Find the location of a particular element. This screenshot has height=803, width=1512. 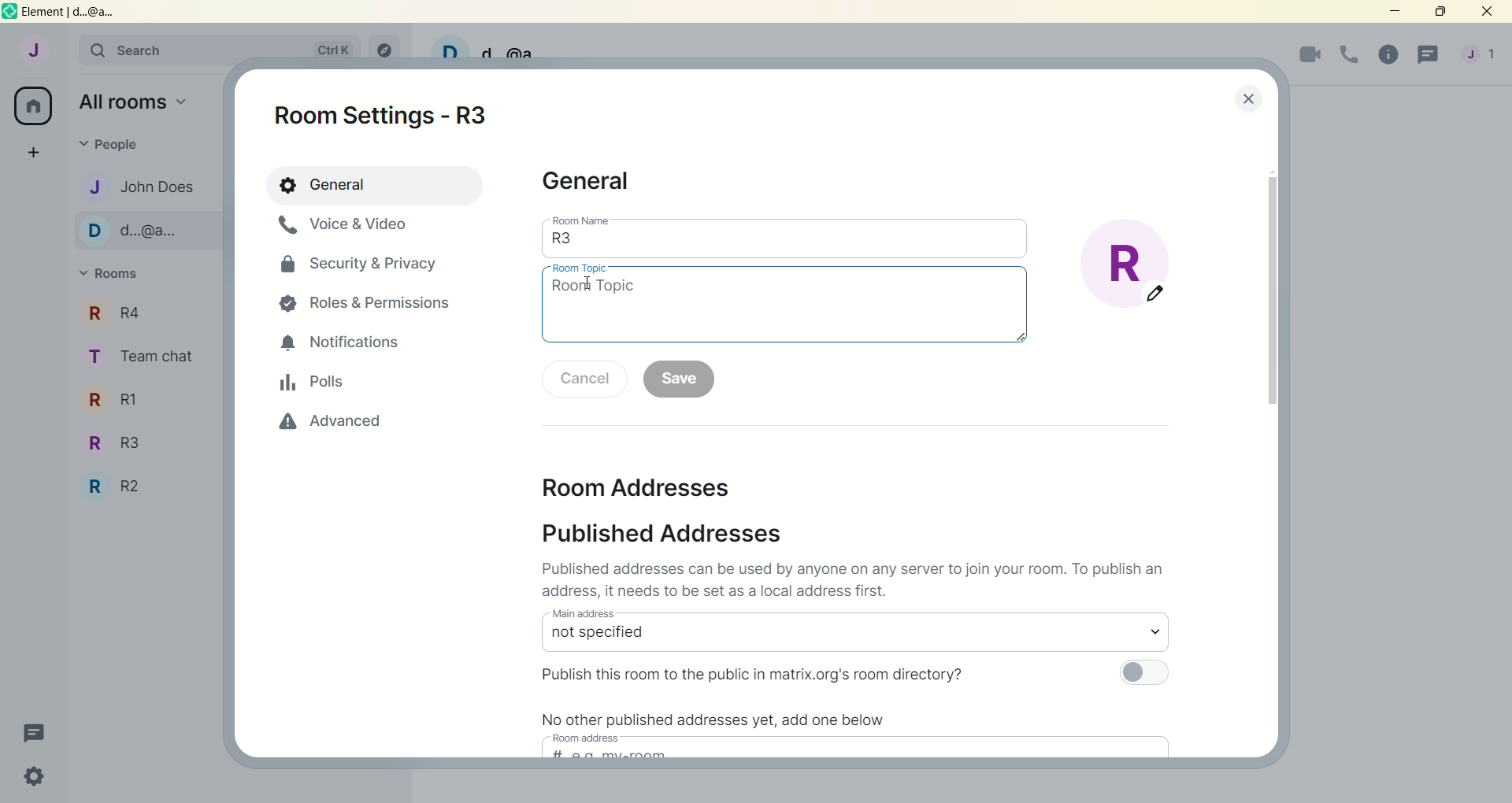

published addresses is located at coordinates (654, 535).